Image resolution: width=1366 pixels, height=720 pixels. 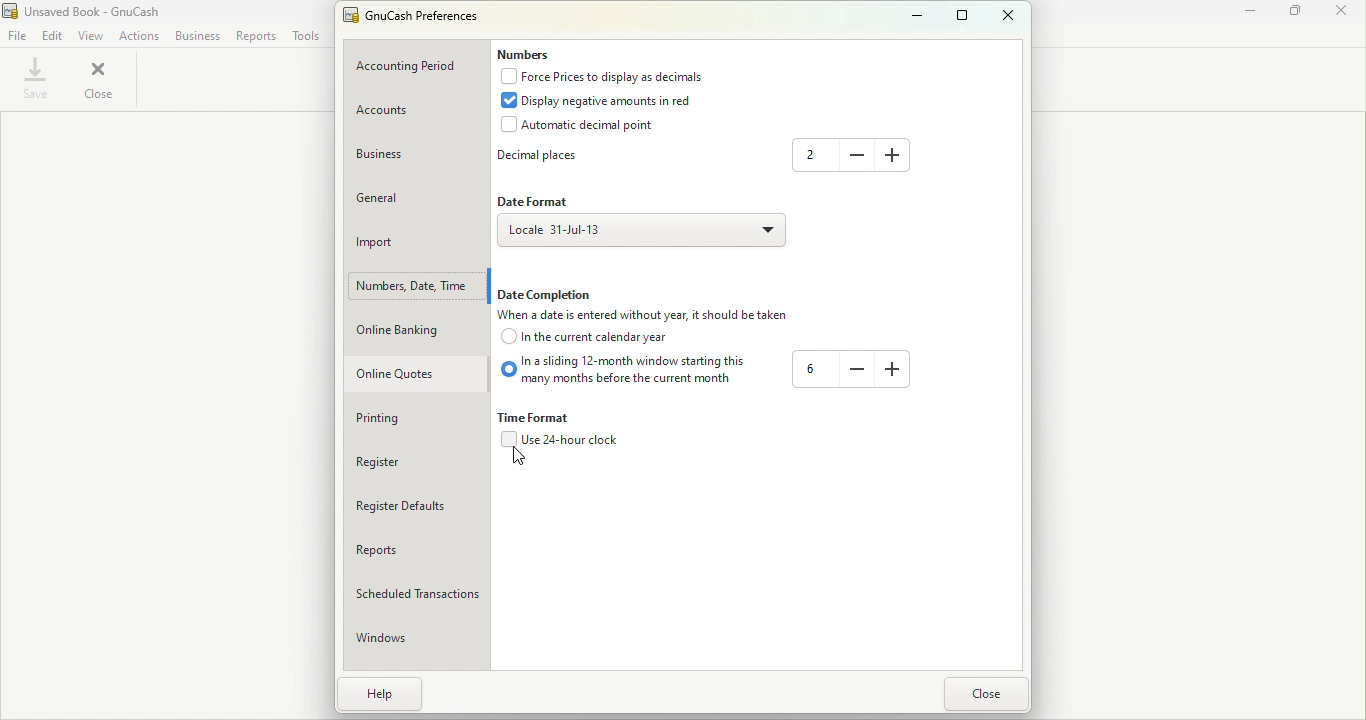 I want to click on Register defaults, so click(x=408, y=505).